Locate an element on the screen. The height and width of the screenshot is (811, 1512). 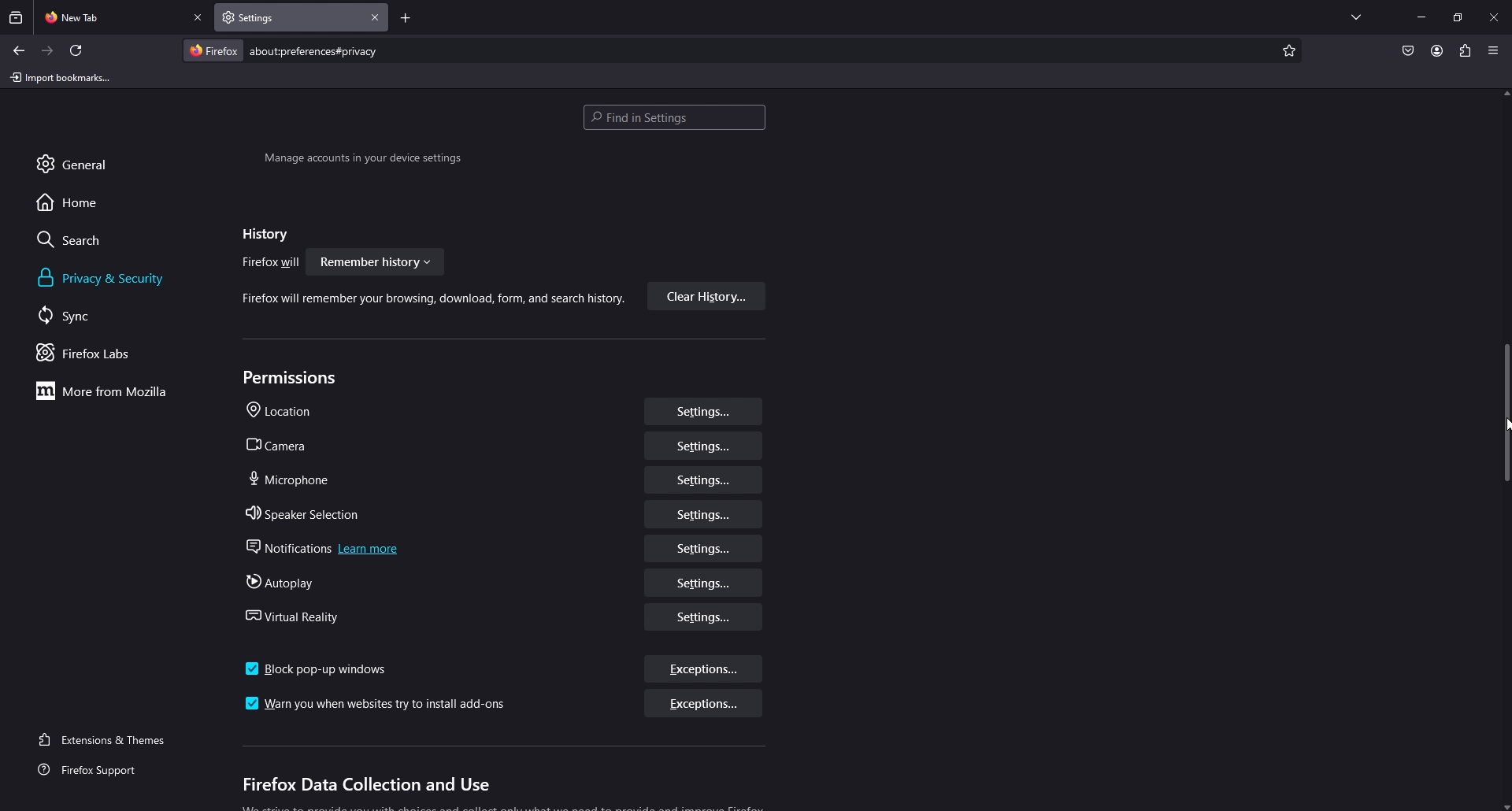
privacy and security is located at coordinates (105, 278).